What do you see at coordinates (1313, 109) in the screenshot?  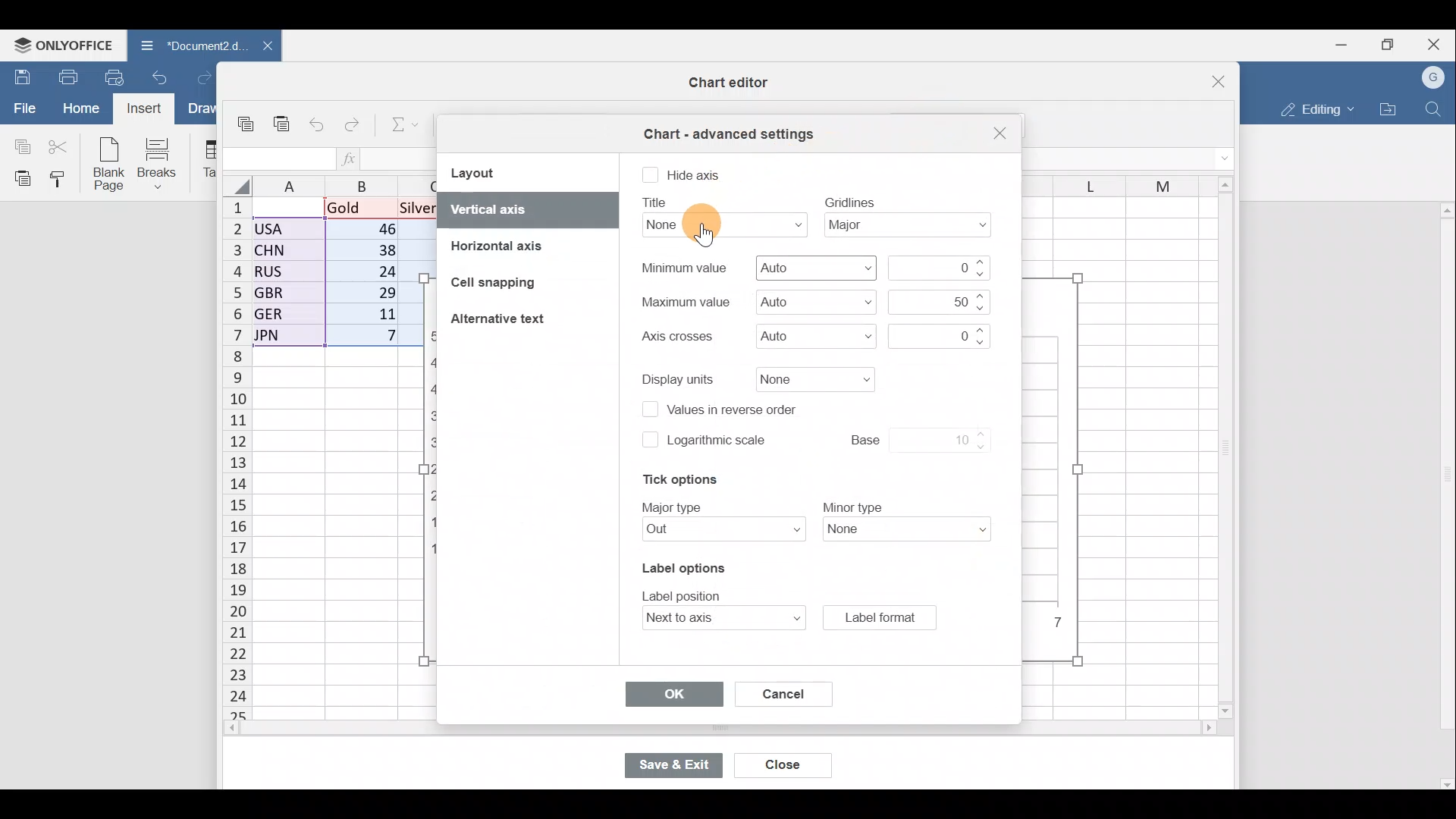 I see `Editing mode` at bounding box center [1313, 109].